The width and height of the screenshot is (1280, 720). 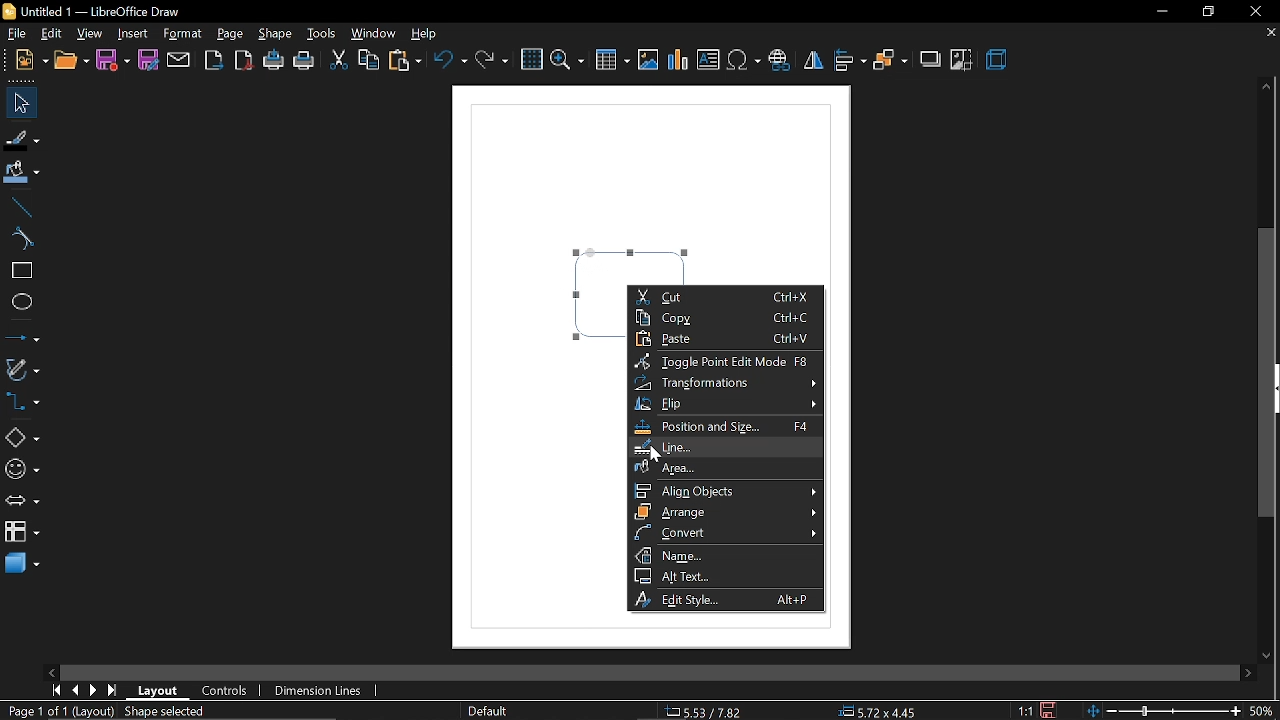 I want to click on connectors, so click(x=21, y=401).